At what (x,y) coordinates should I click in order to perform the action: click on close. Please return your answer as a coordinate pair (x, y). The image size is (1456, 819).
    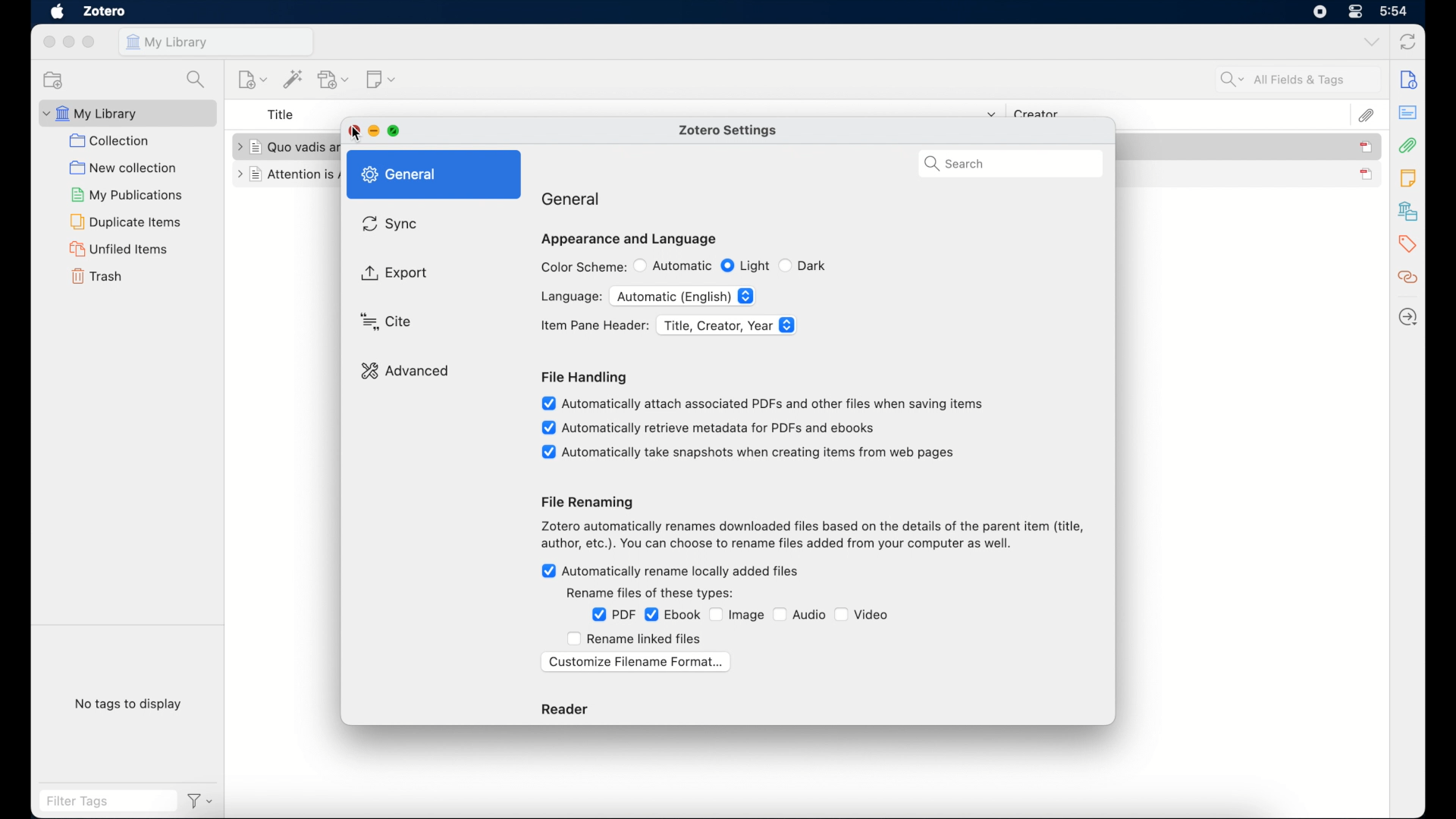
    Looking at the image, I should click on (47, 41).